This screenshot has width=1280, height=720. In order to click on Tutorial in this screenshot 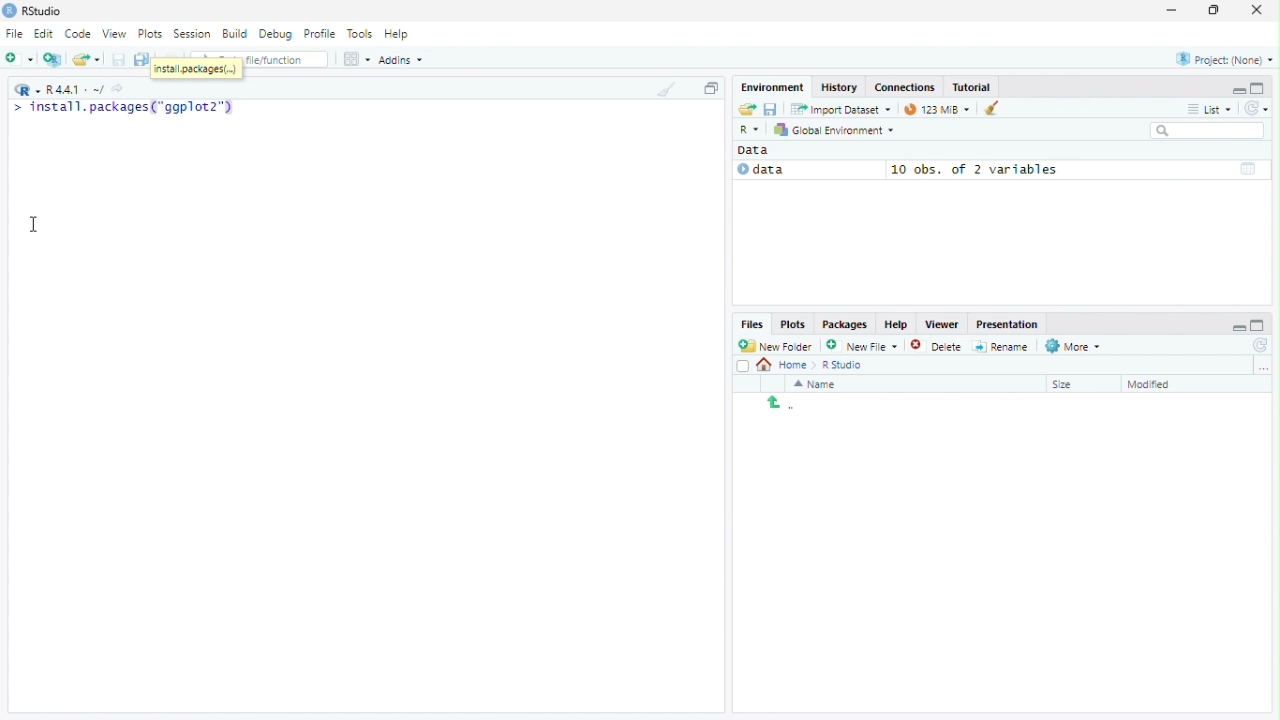, I will do `click(973, 87)`.